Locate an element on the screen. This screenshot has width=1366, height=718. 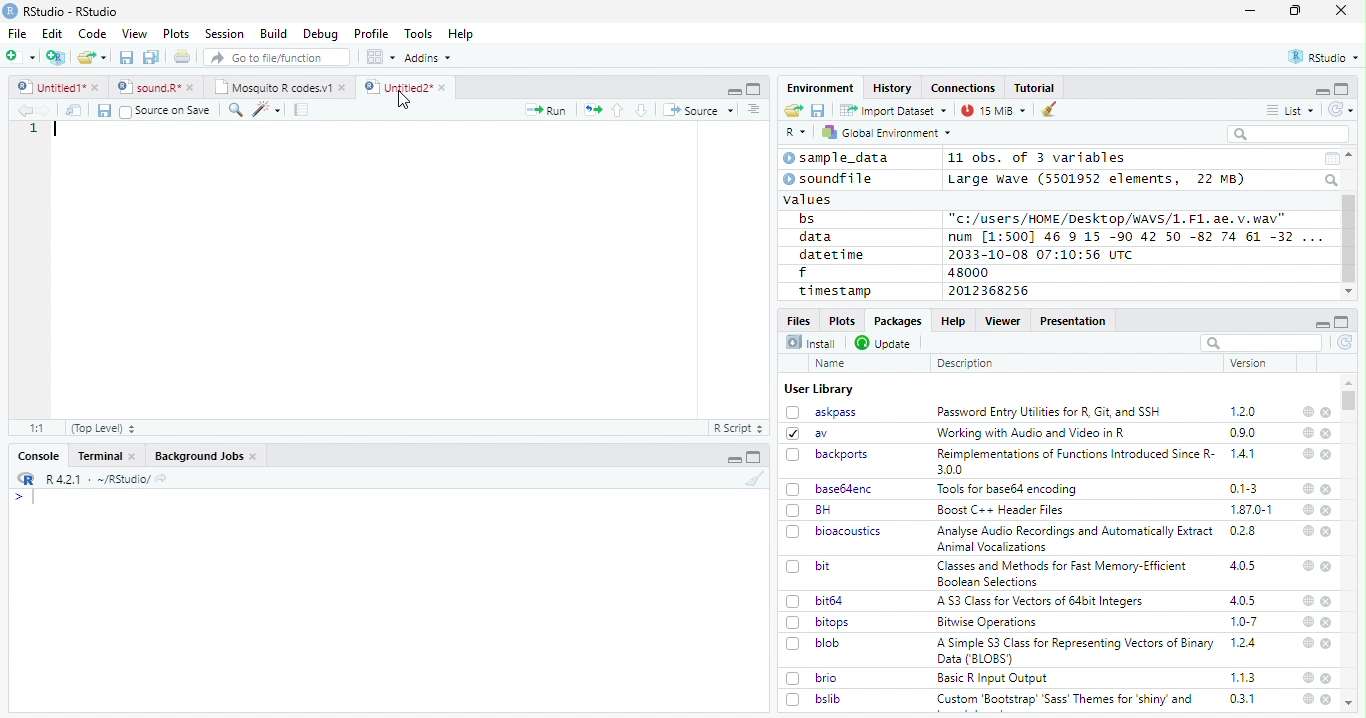
close is located at coordinates (1327, 455).